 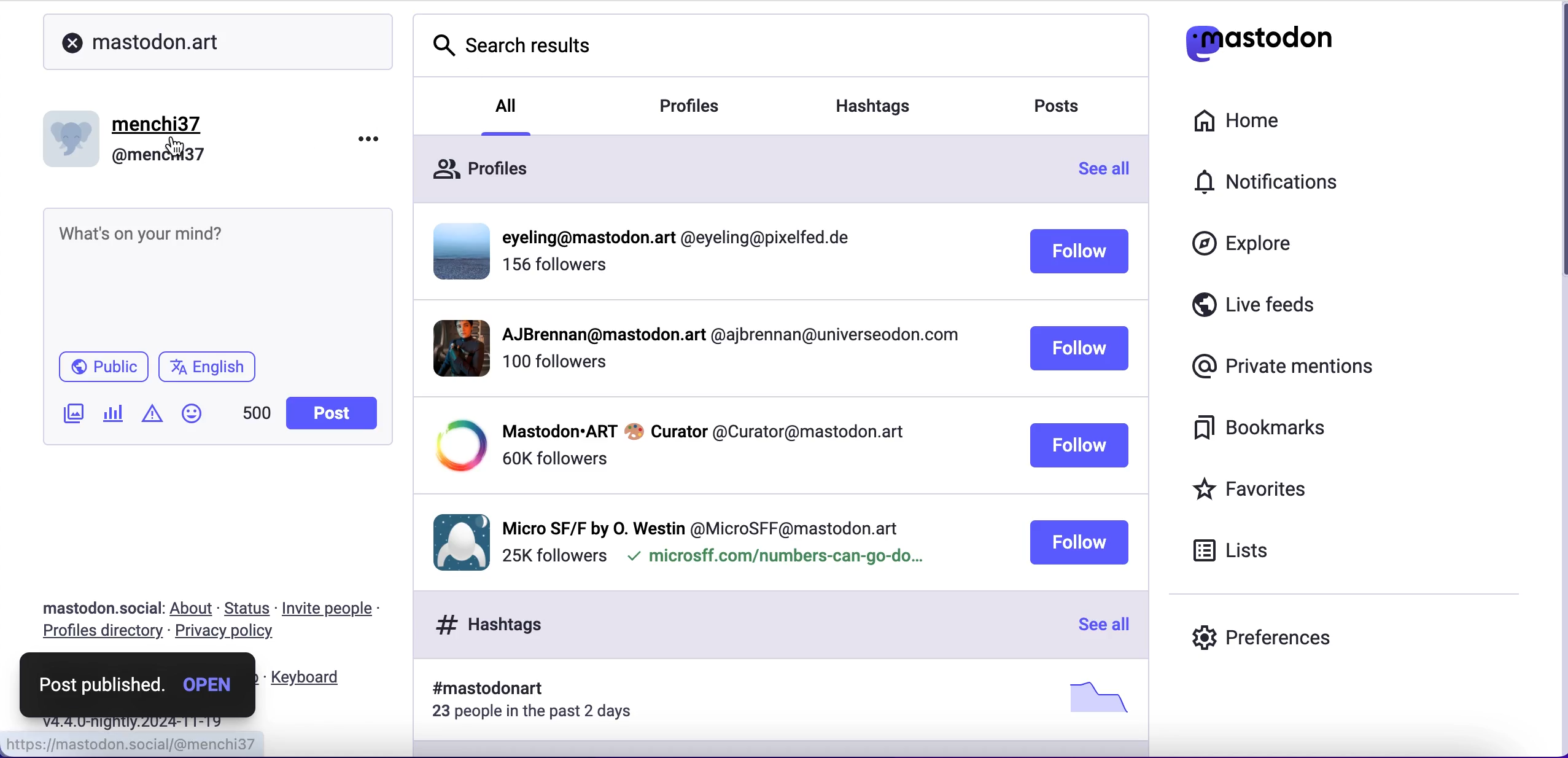 I want to click on display picture, so click(x=457, y=346).